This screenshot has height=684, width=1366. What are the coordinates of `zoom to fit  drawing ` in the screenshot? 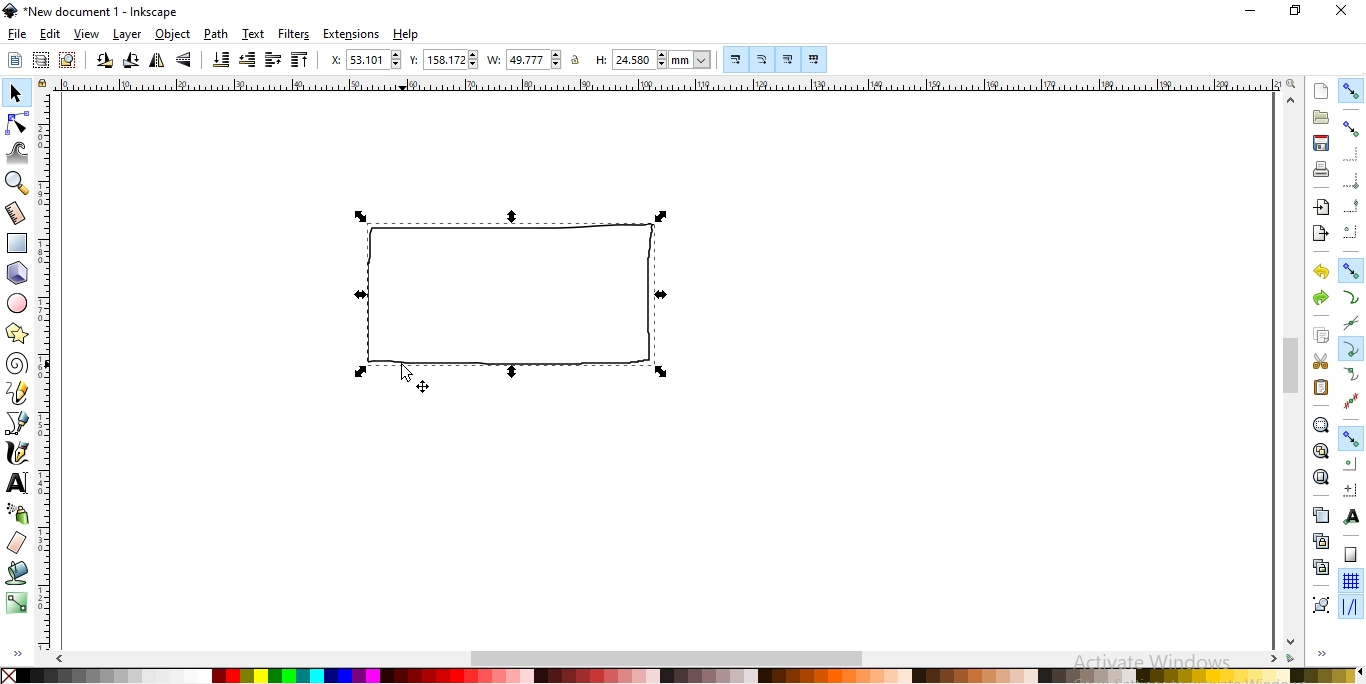 It's located at (1319, 451).